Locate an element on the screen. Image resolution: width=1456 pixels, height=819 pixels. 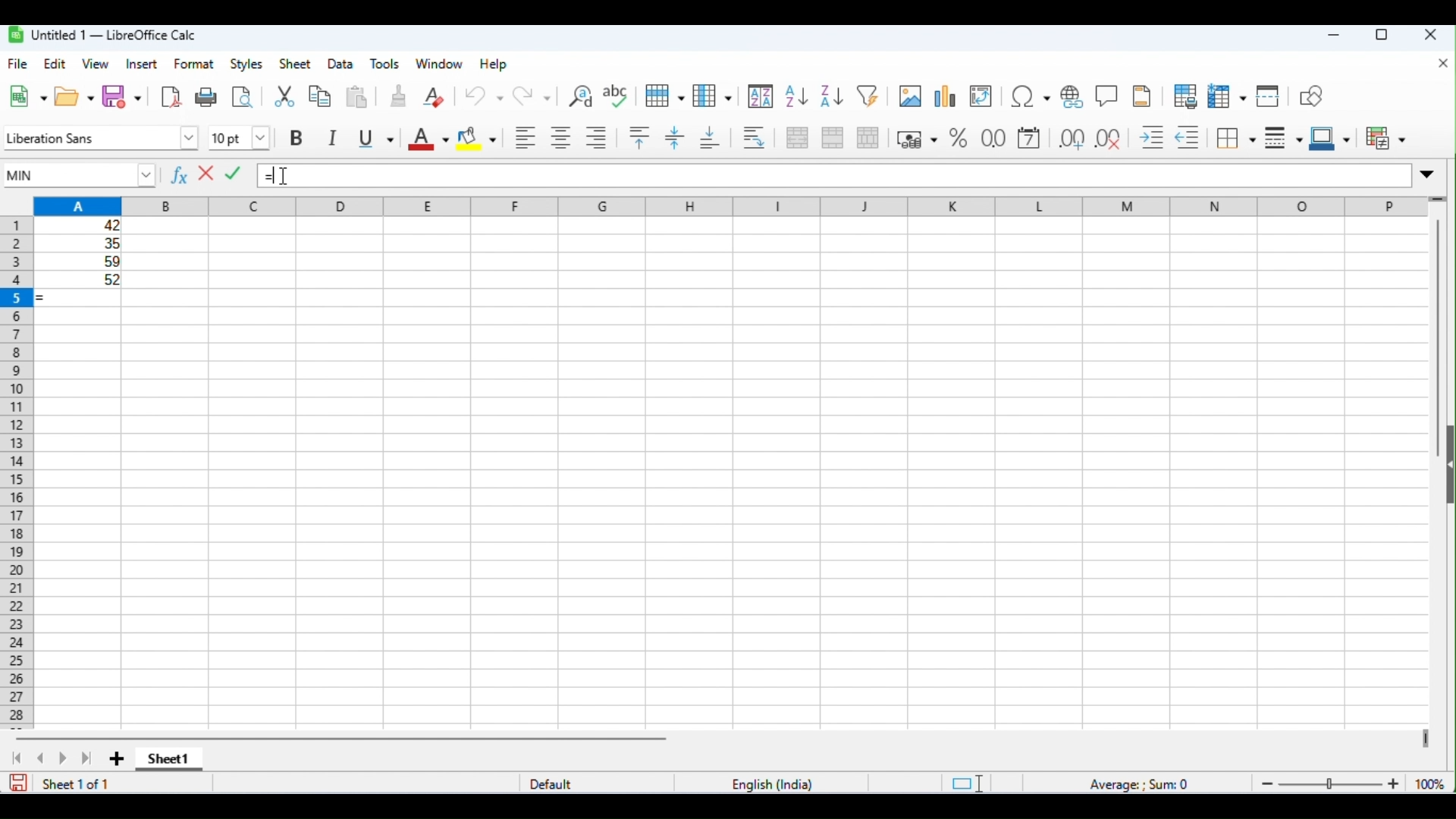
add decimal place is located at coordinates (1071, 138).